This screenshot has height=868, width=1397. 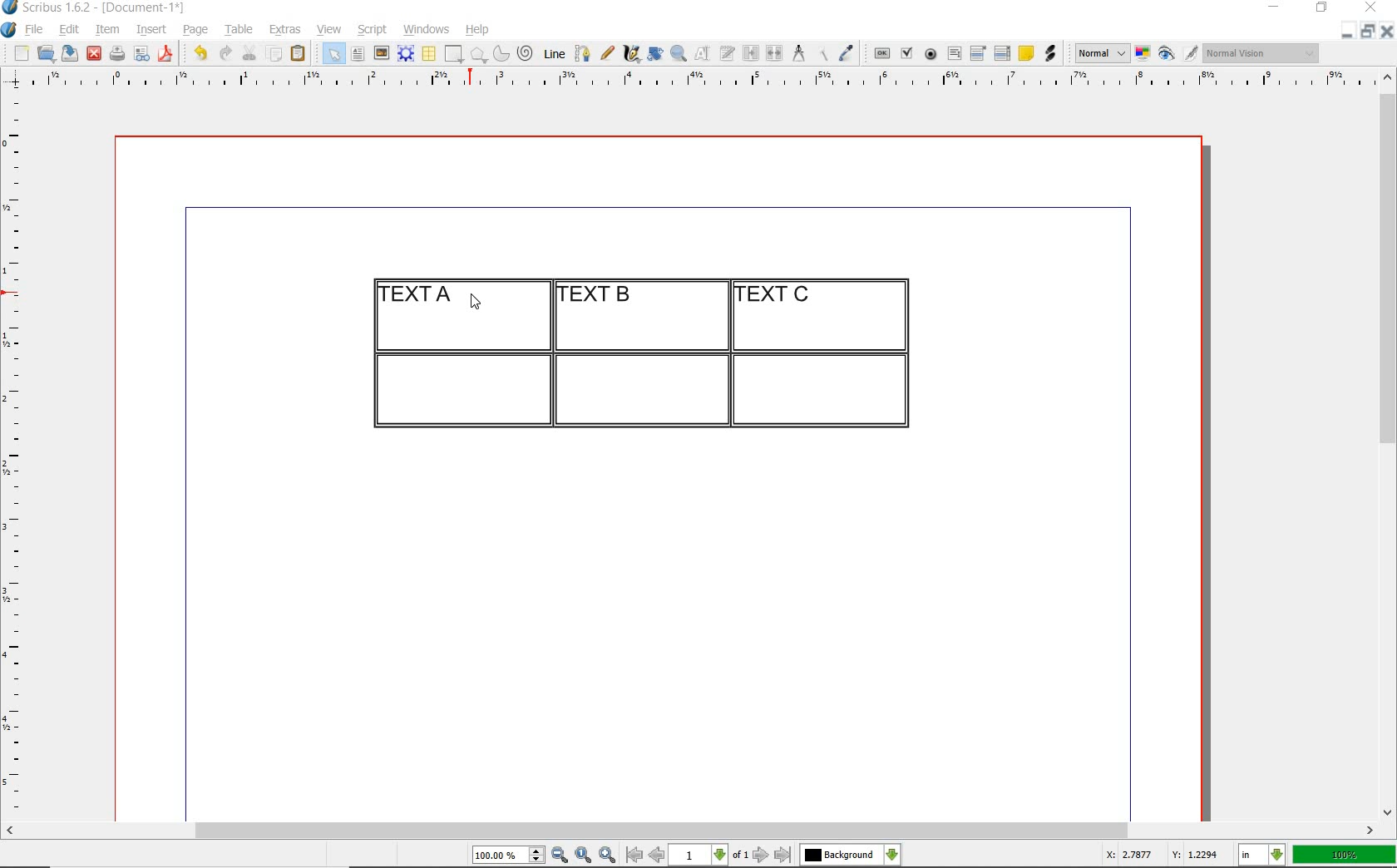 I want to click on toggle color management, so click(x=1144, y=55).